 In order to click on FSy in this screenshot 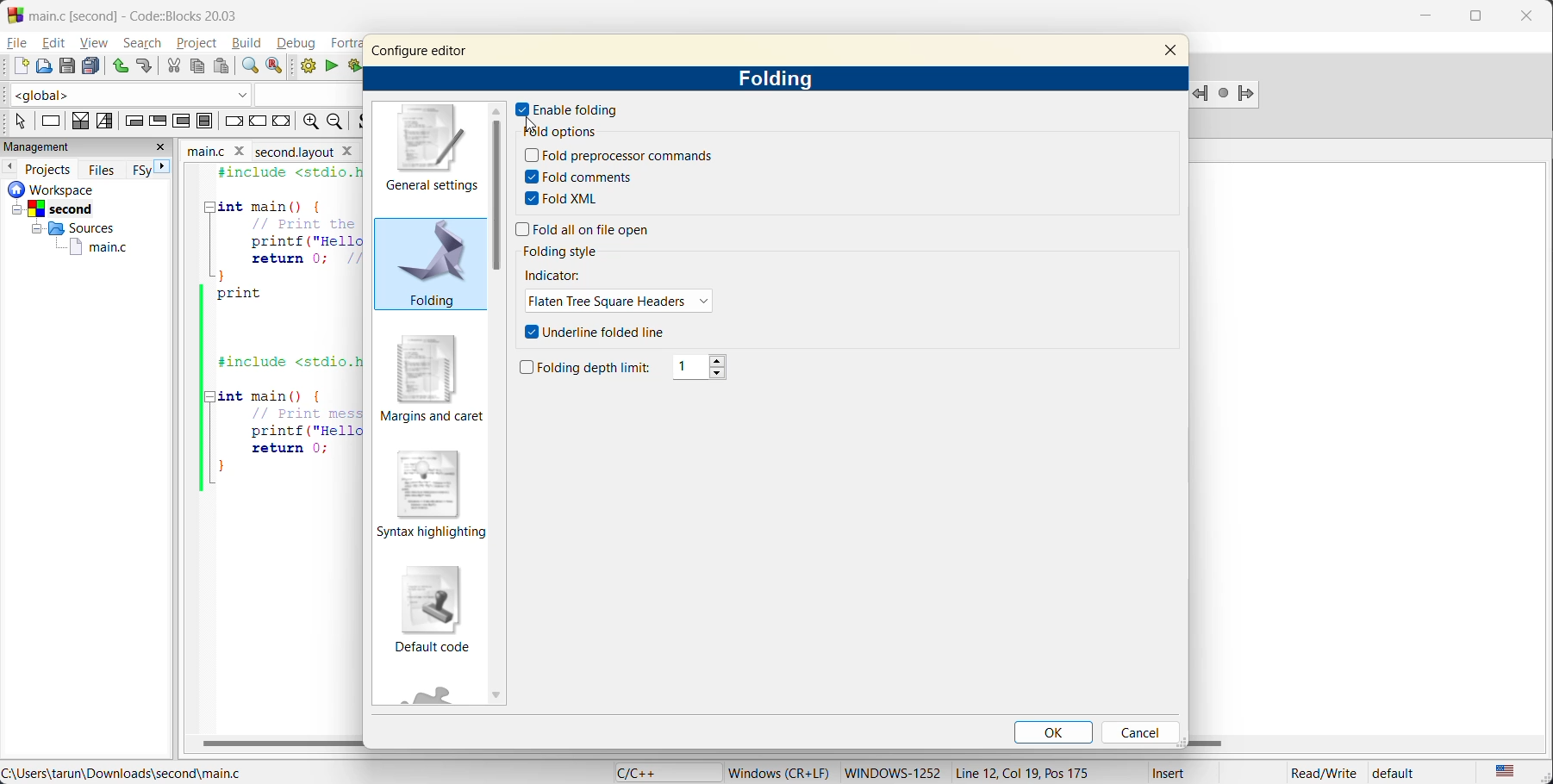, I will do `click(140, 173)`.